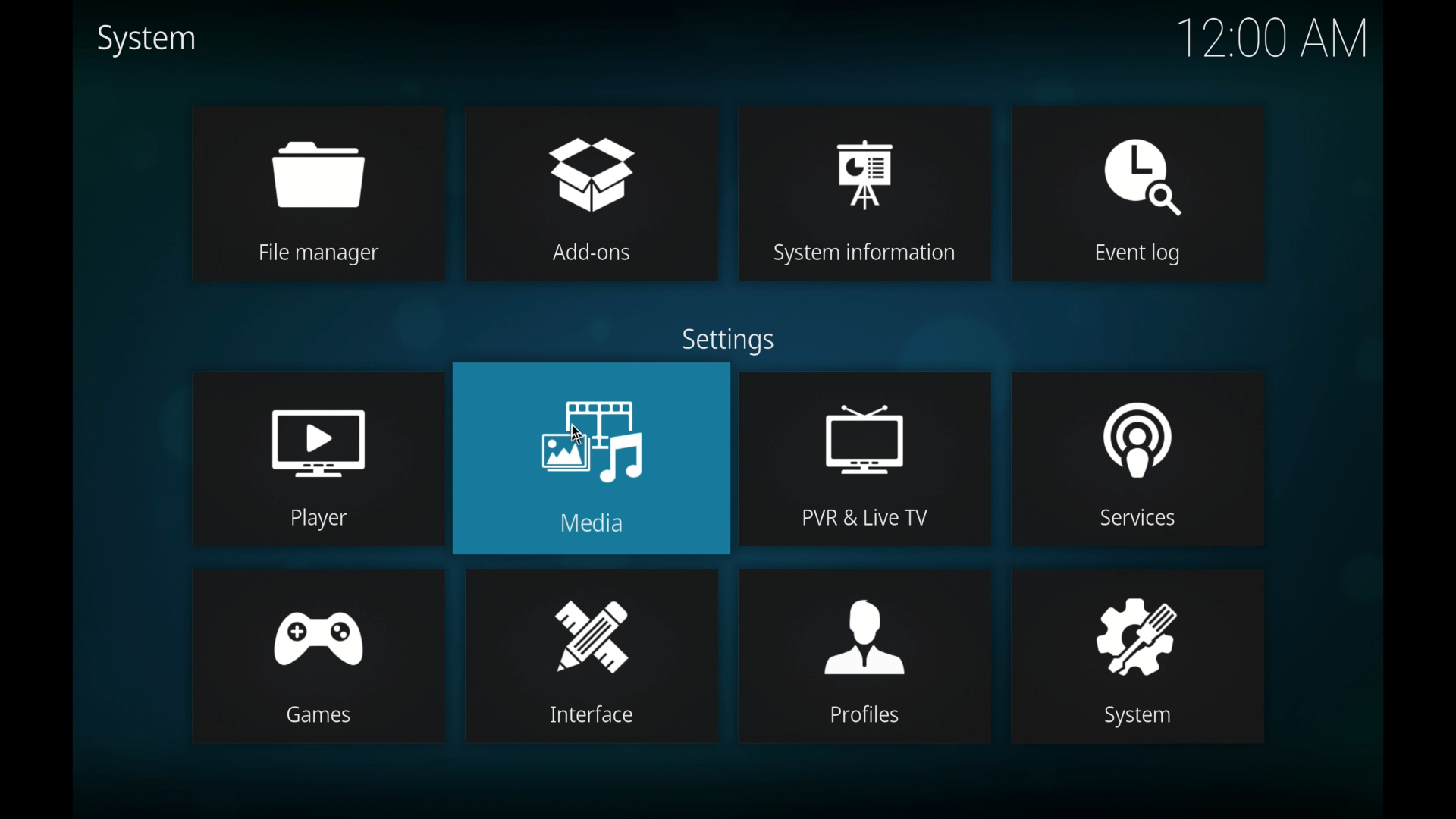 The width and height of the screenshot is (1456, 819). I want to click on profiles, so click(864, 654).